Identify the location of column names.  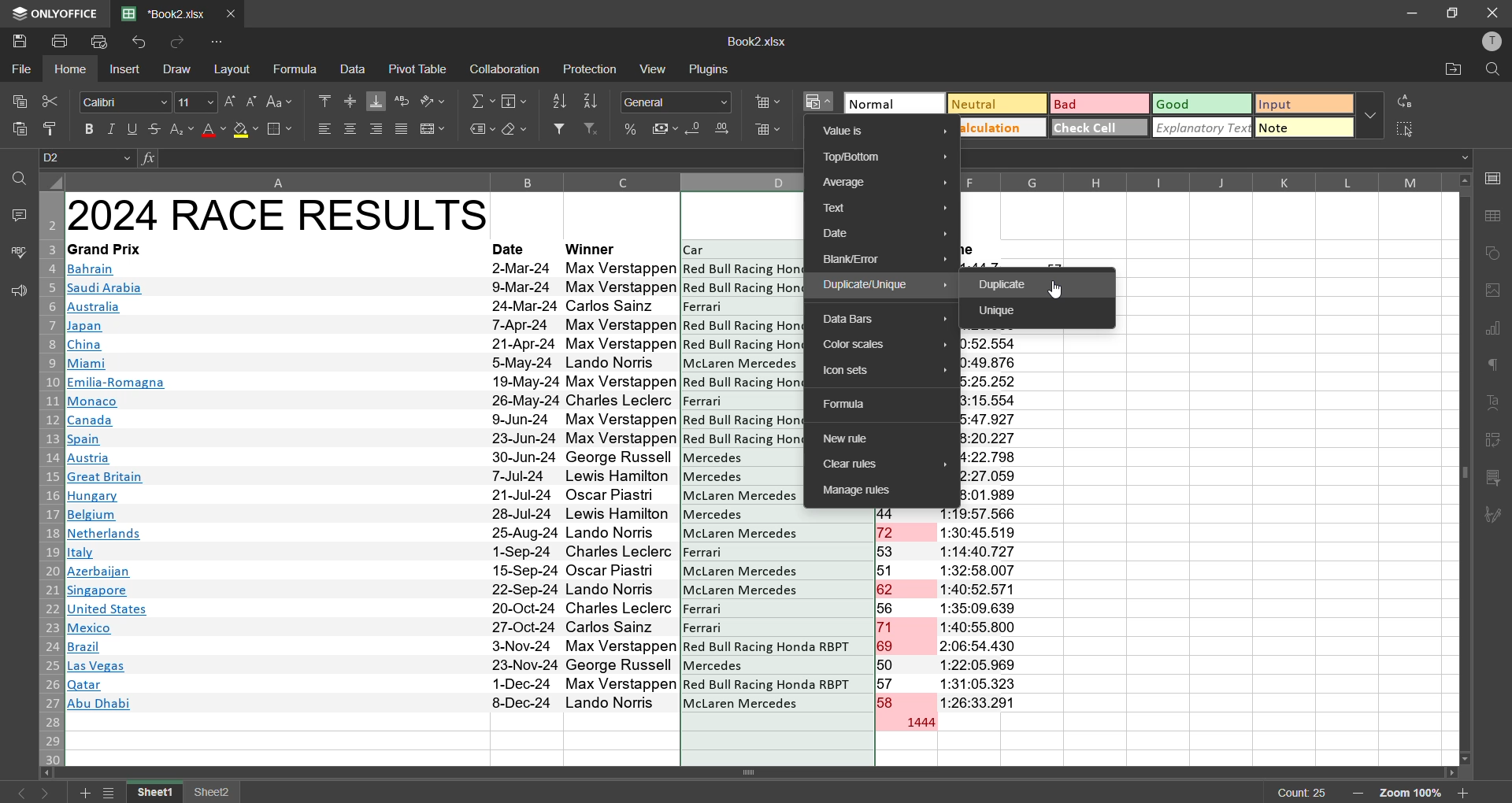
(1203, 180).